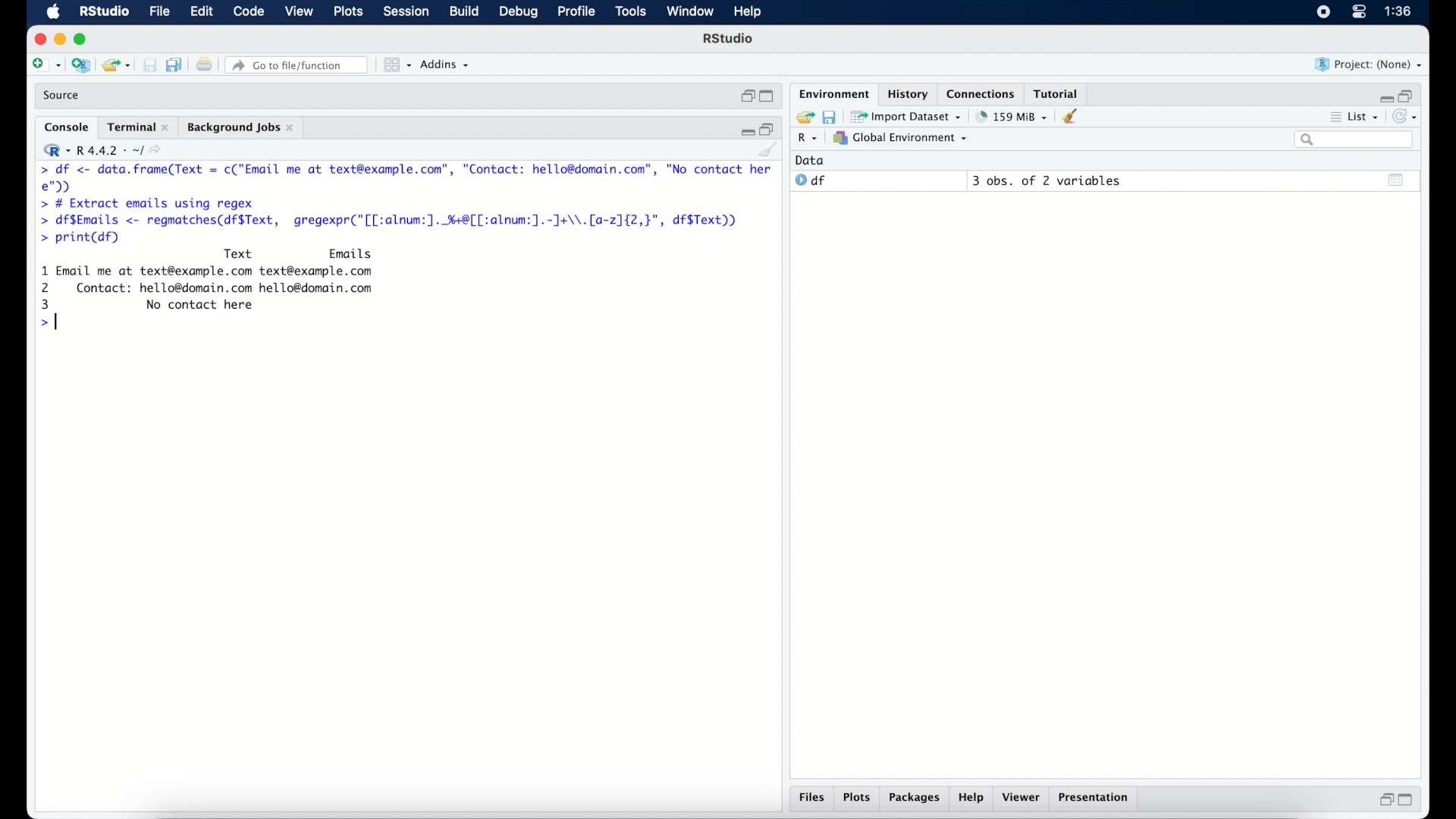 This screenshot has height=819, width=1456. I want to click on search bar, so click(1355, 140).